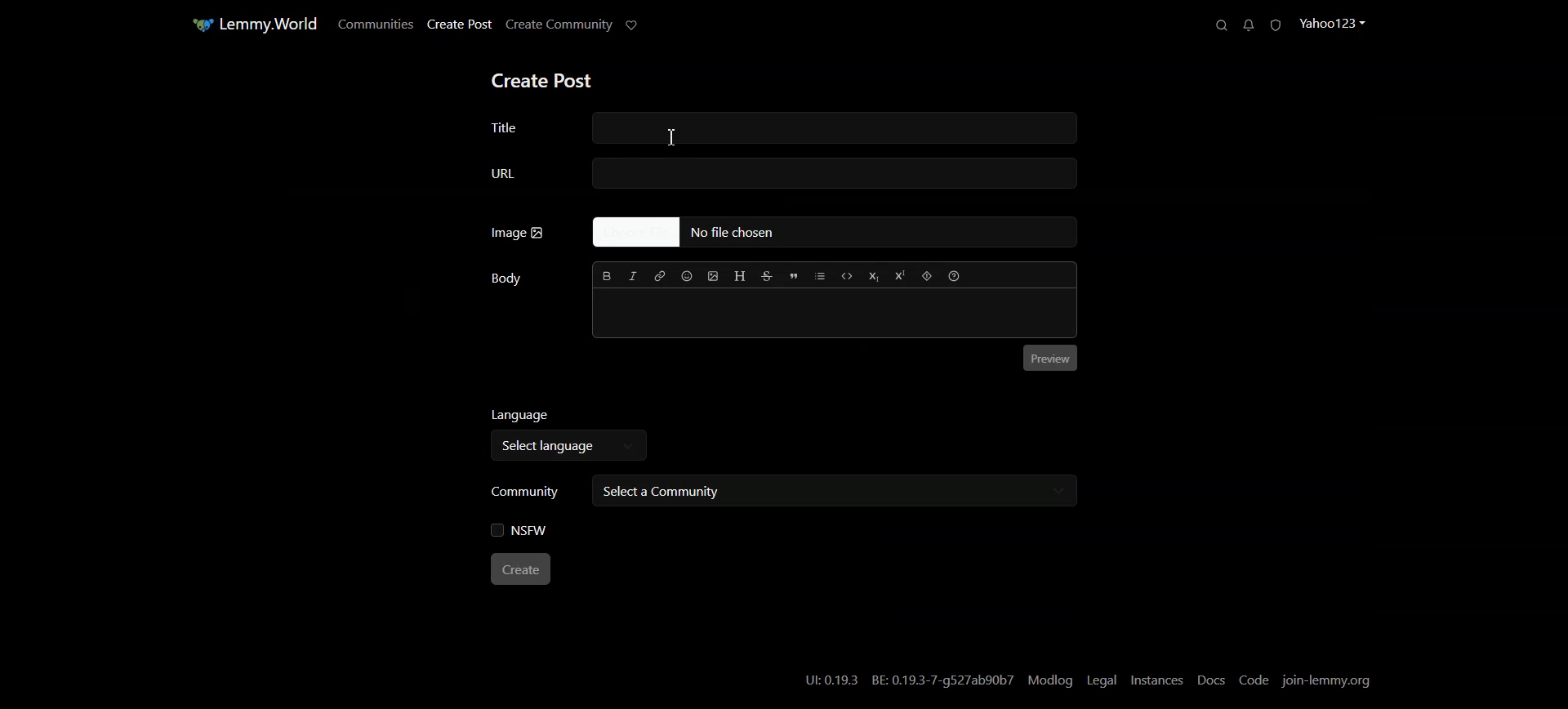 The height and width of the screenshot is (709, 1568). I want to click on Home Page, so click(251, 25).